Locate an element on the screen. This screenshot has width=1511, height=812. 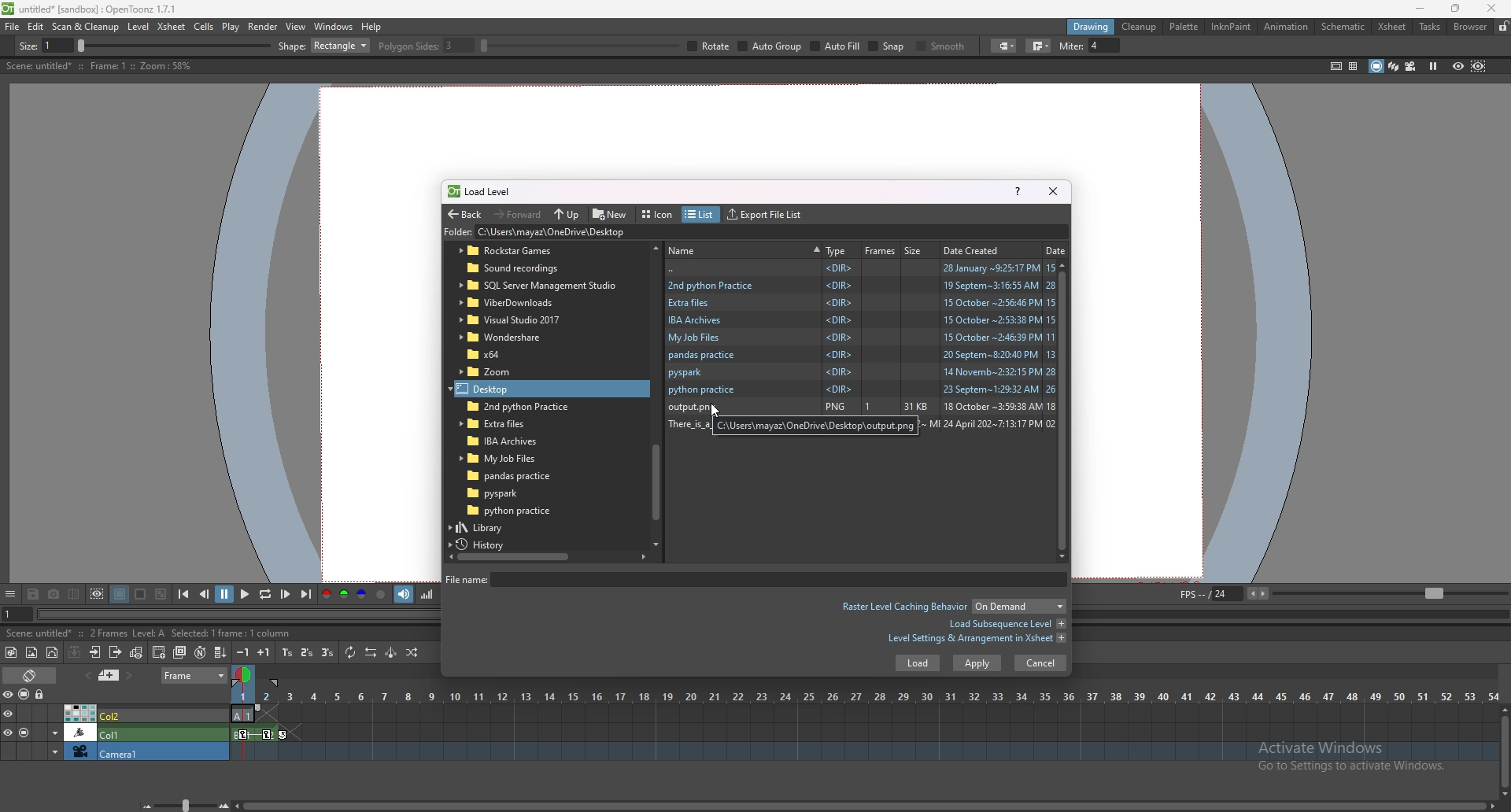
forward is located at coordinates (518, 213).